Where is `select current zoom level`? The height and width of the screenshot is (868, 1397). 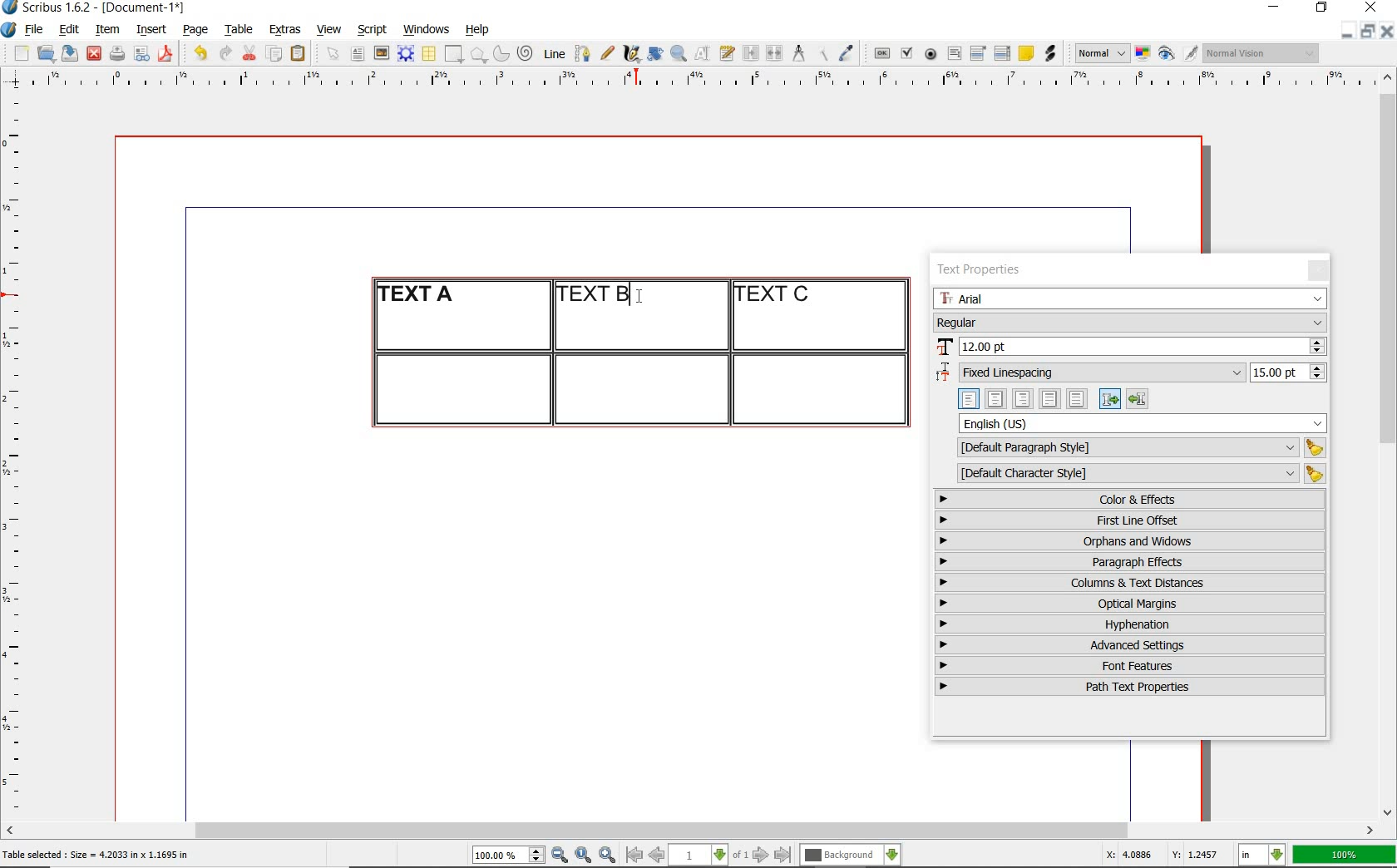 select current zoom level is located at coordinates (509, 855).